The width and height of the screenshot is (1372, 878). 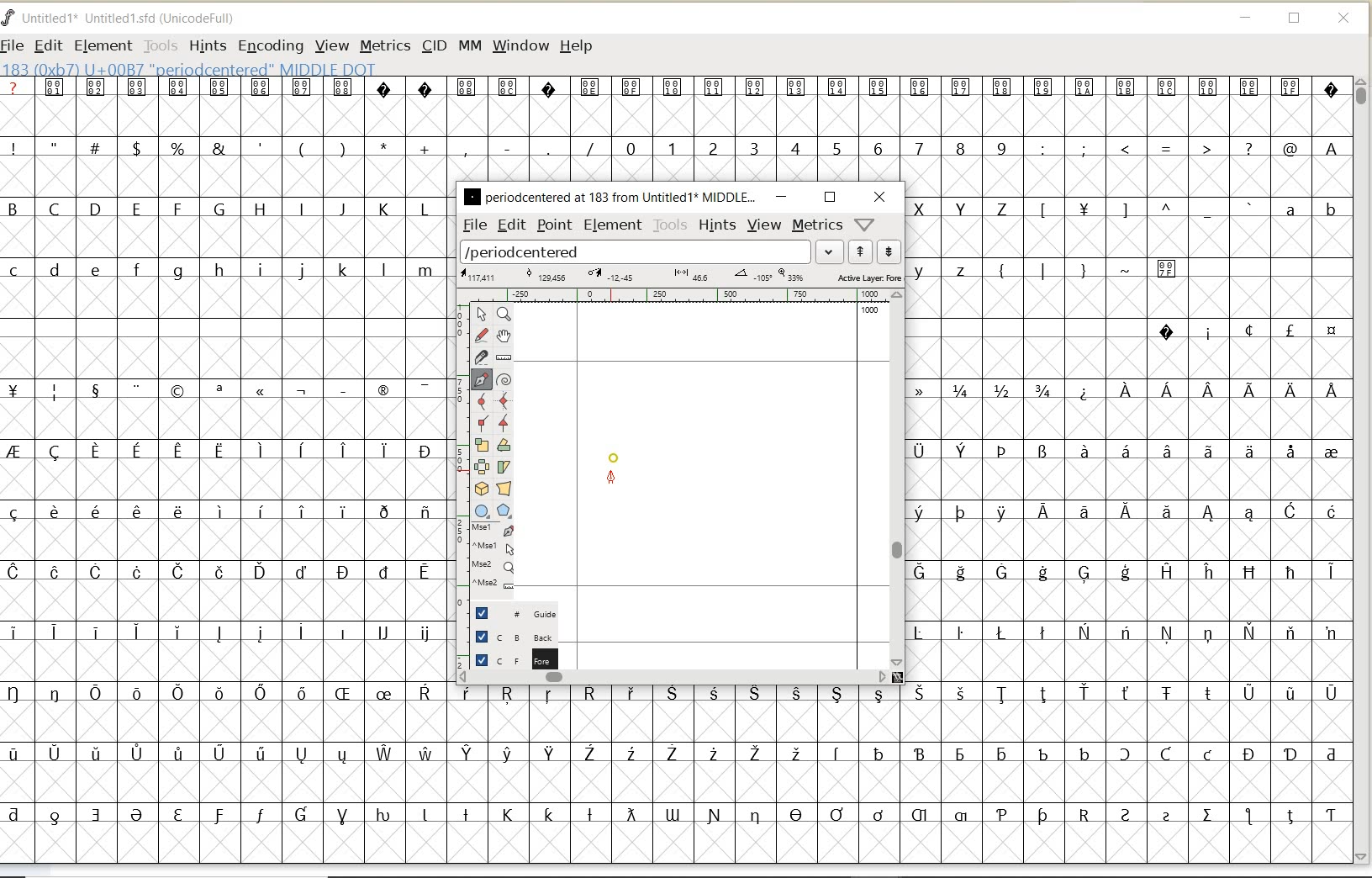 I want to click on draw a freehand curve, so click(x=481, y=333).